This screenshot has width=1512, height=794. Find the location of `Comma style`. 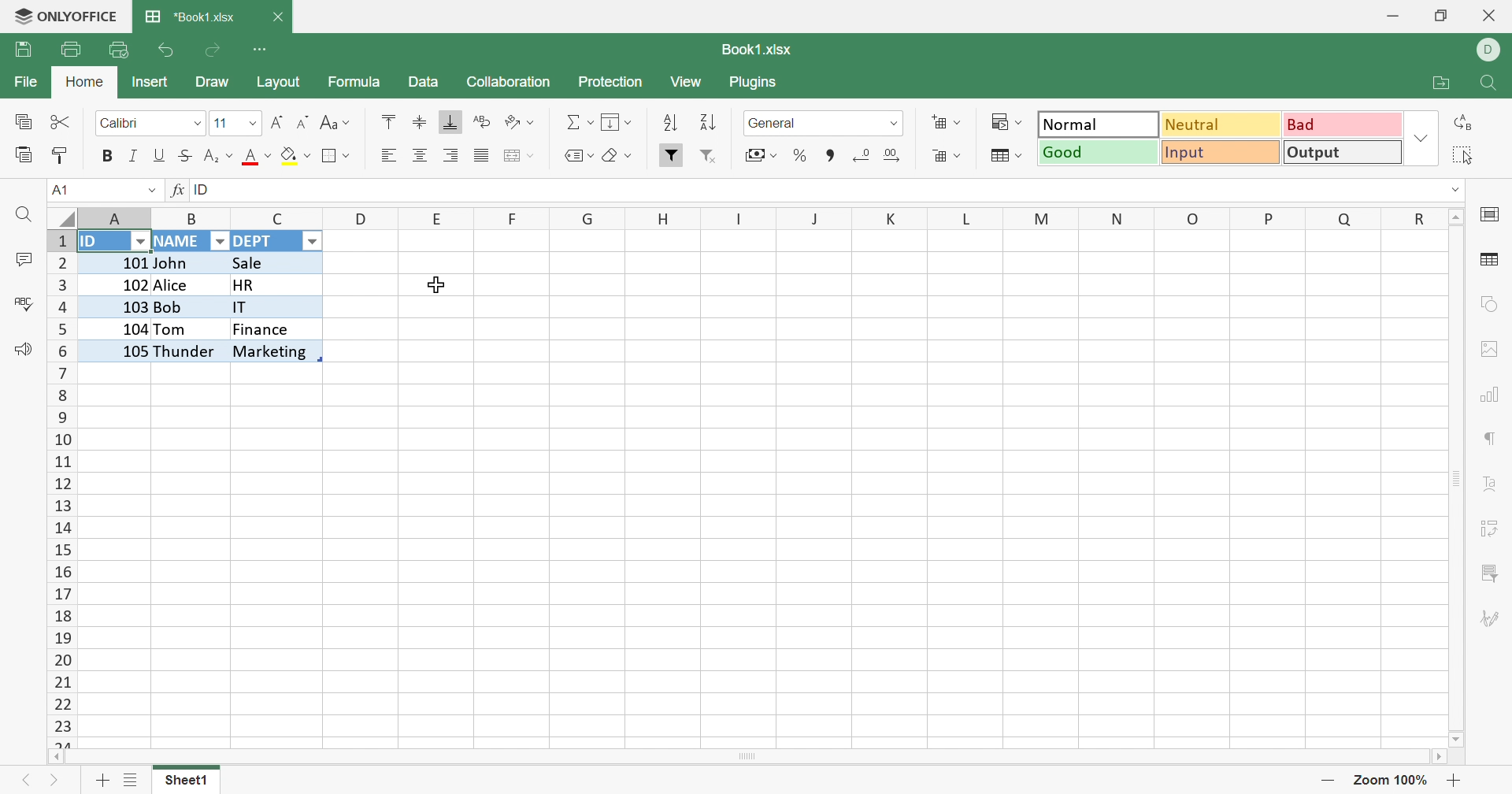

Comma style is located at coordinates (828, 155).